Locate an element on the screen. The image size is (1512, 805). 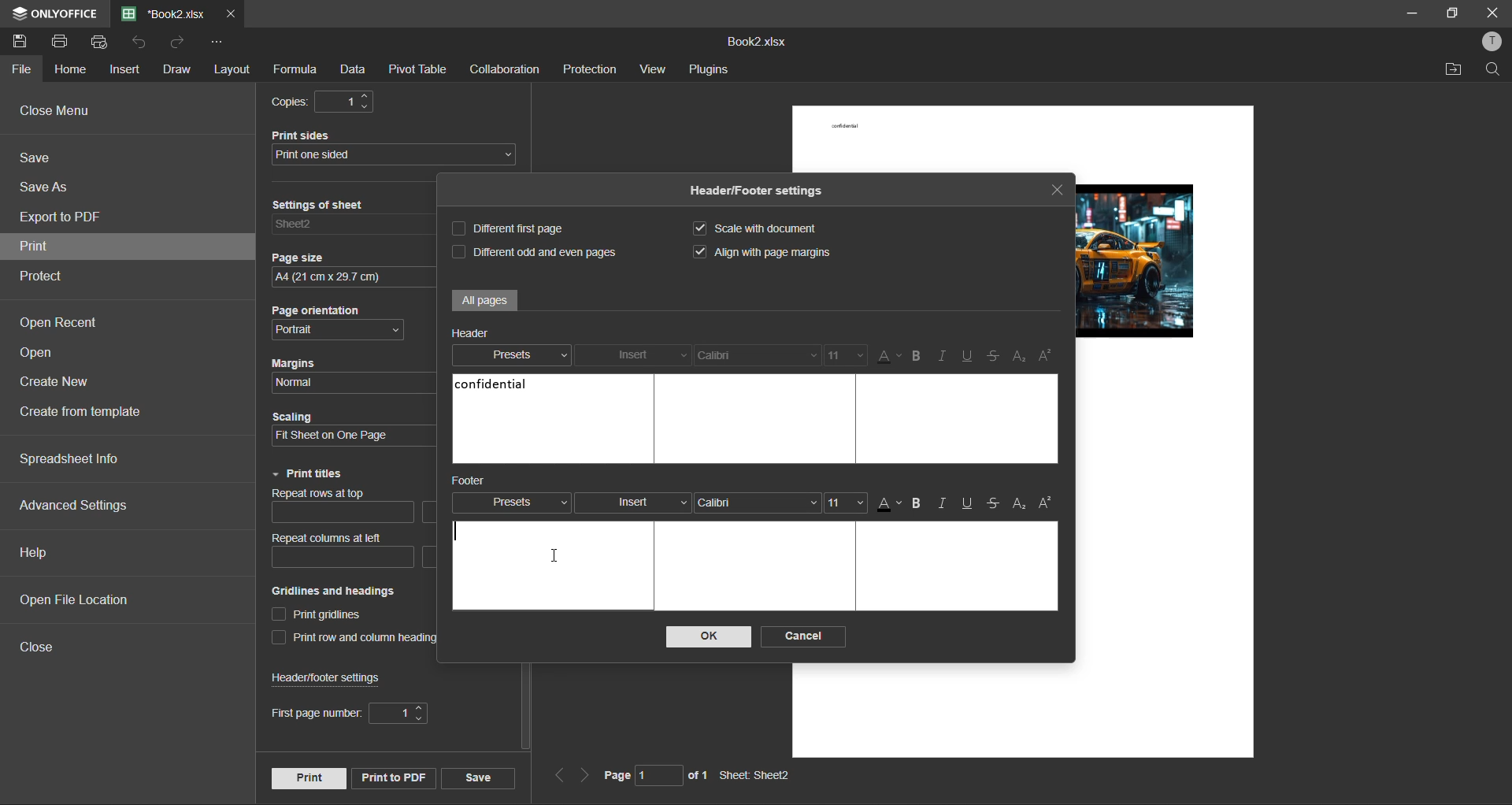
next is located at coordinates (584, 775).